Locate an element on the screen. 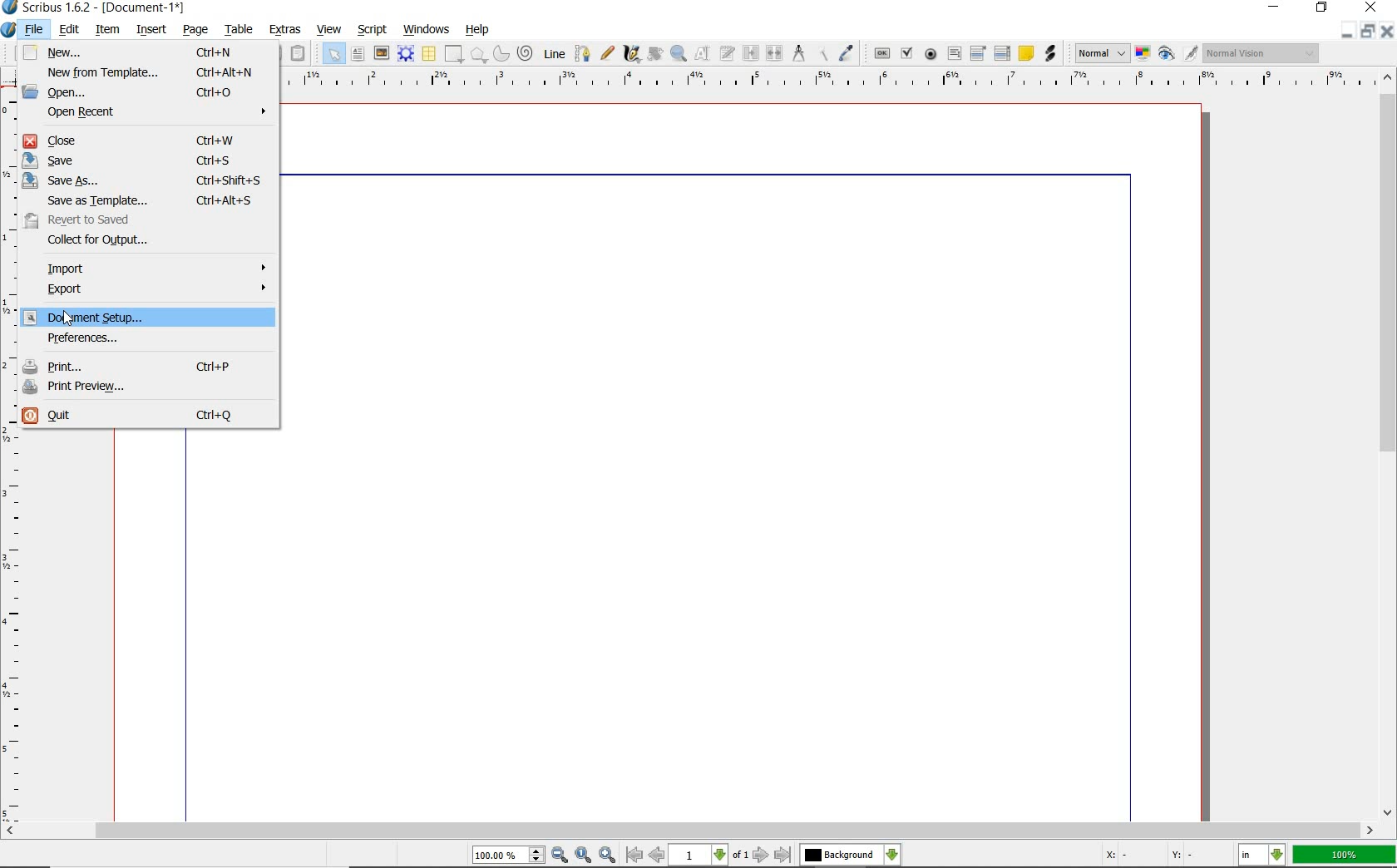 The height and width of the screenshot is (868, 1397). COLLECT FOR OUTPUT is located at coordinates (125, 242).